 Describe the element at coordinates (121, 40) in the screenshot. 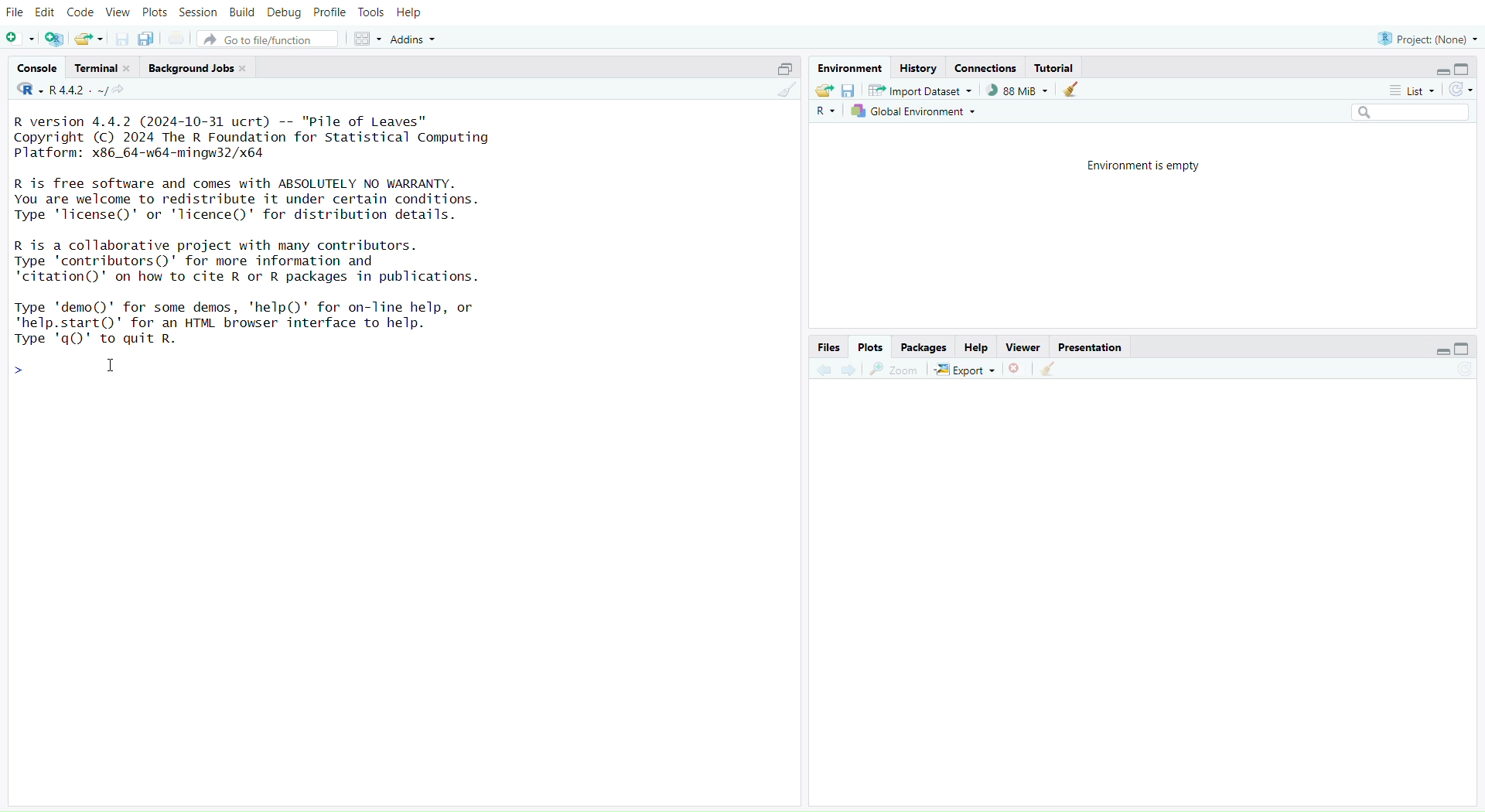

I see `save current document` at that location.